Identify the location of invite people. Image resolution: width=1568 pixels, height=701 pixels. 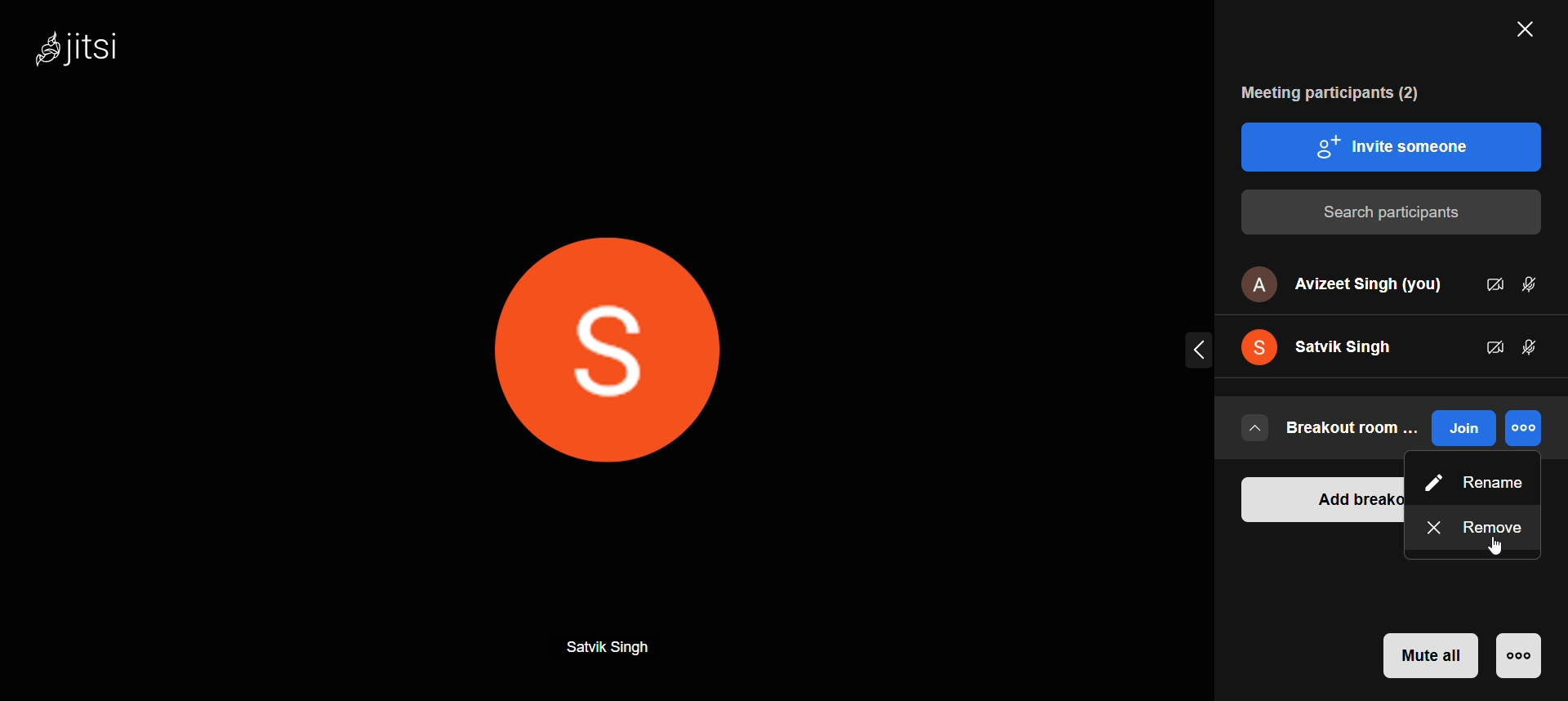
(1395, 146).